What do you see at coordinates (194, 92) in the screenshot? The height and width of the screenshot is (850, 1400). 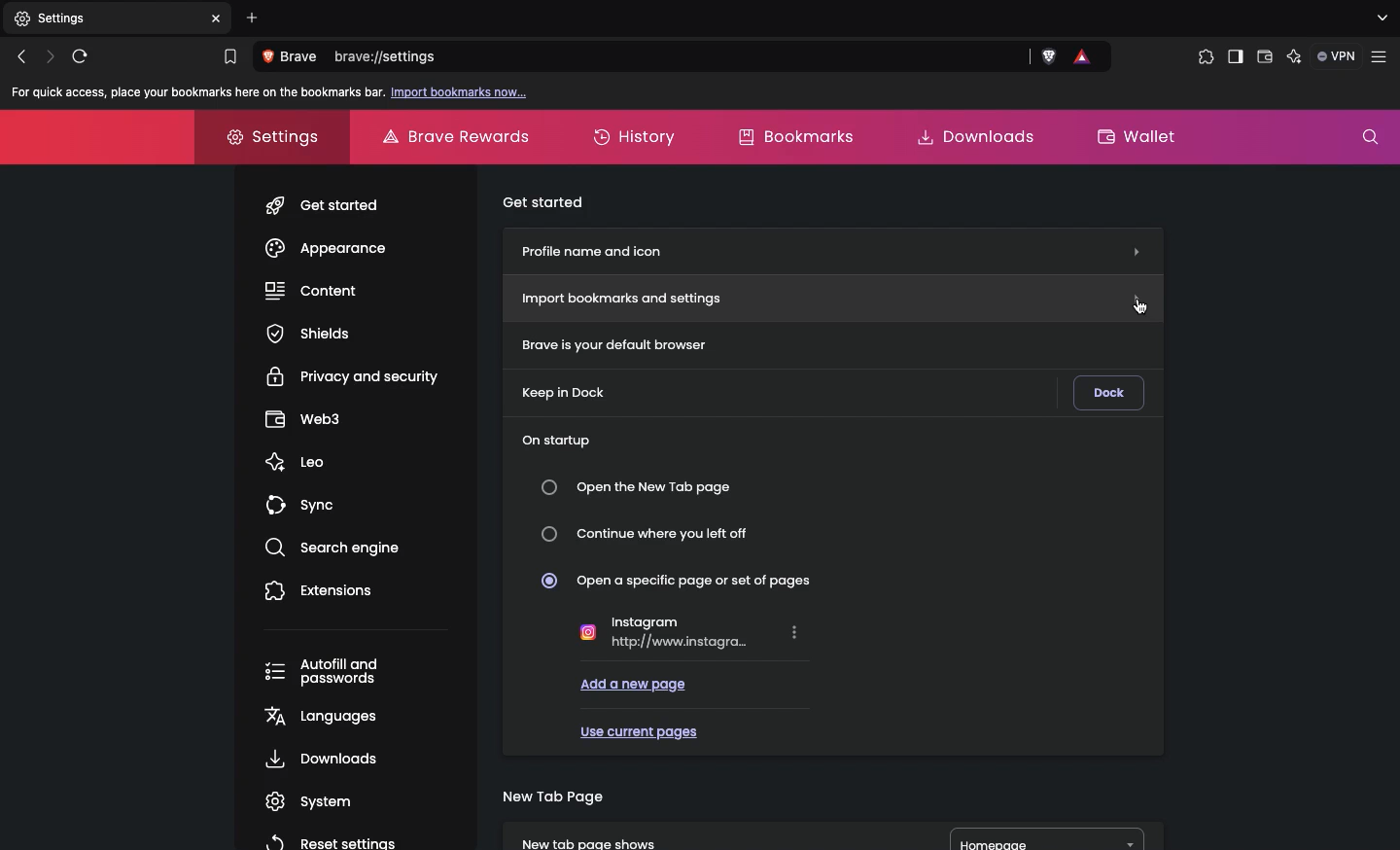 I see `For quick access, place your bookmarks here on the bookmarks bar.` at bounding box center [194, 92].